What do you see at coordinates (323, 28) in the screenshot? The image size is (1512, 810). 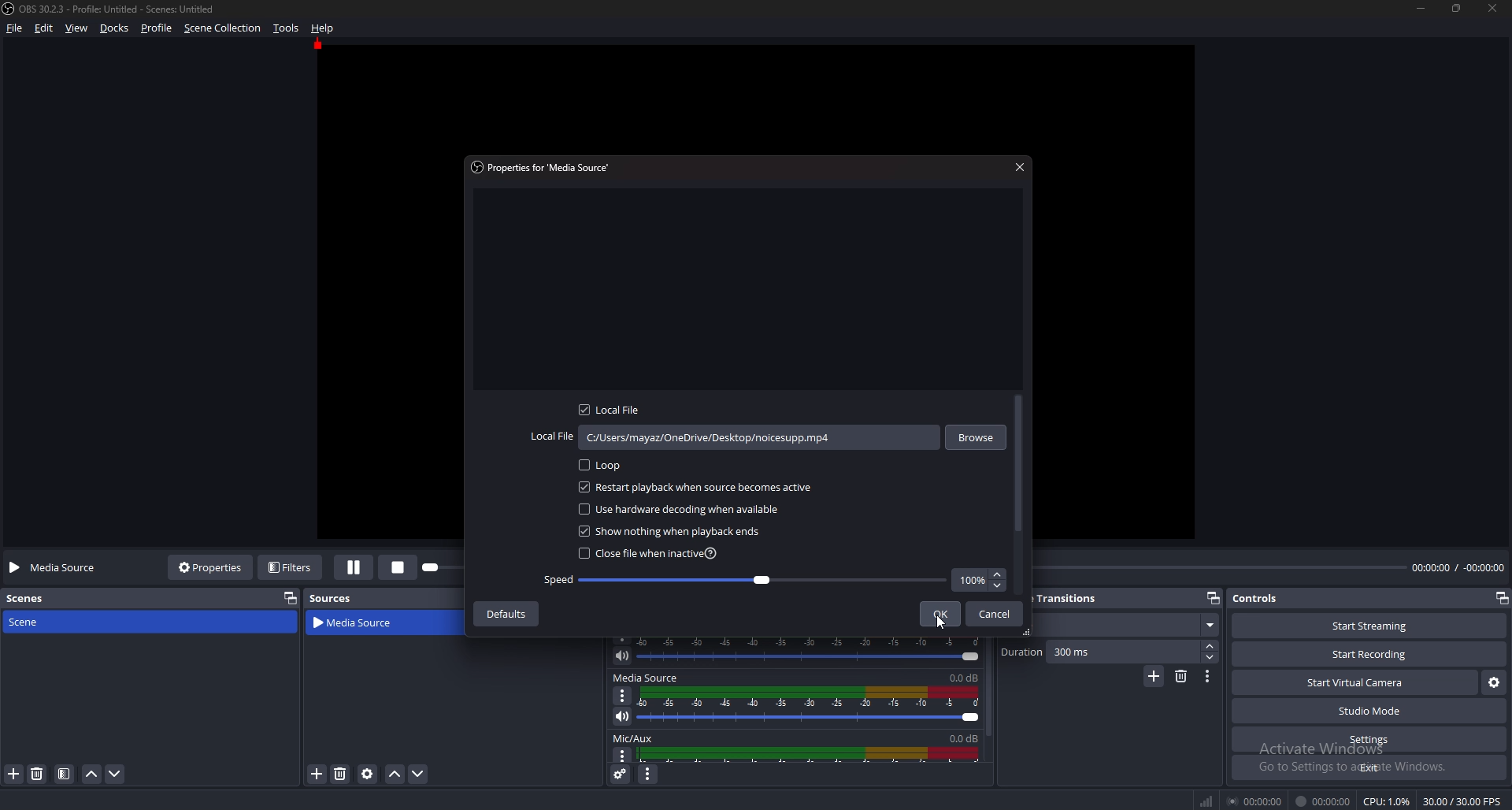 I see `help` at bounding box center [323, 28].